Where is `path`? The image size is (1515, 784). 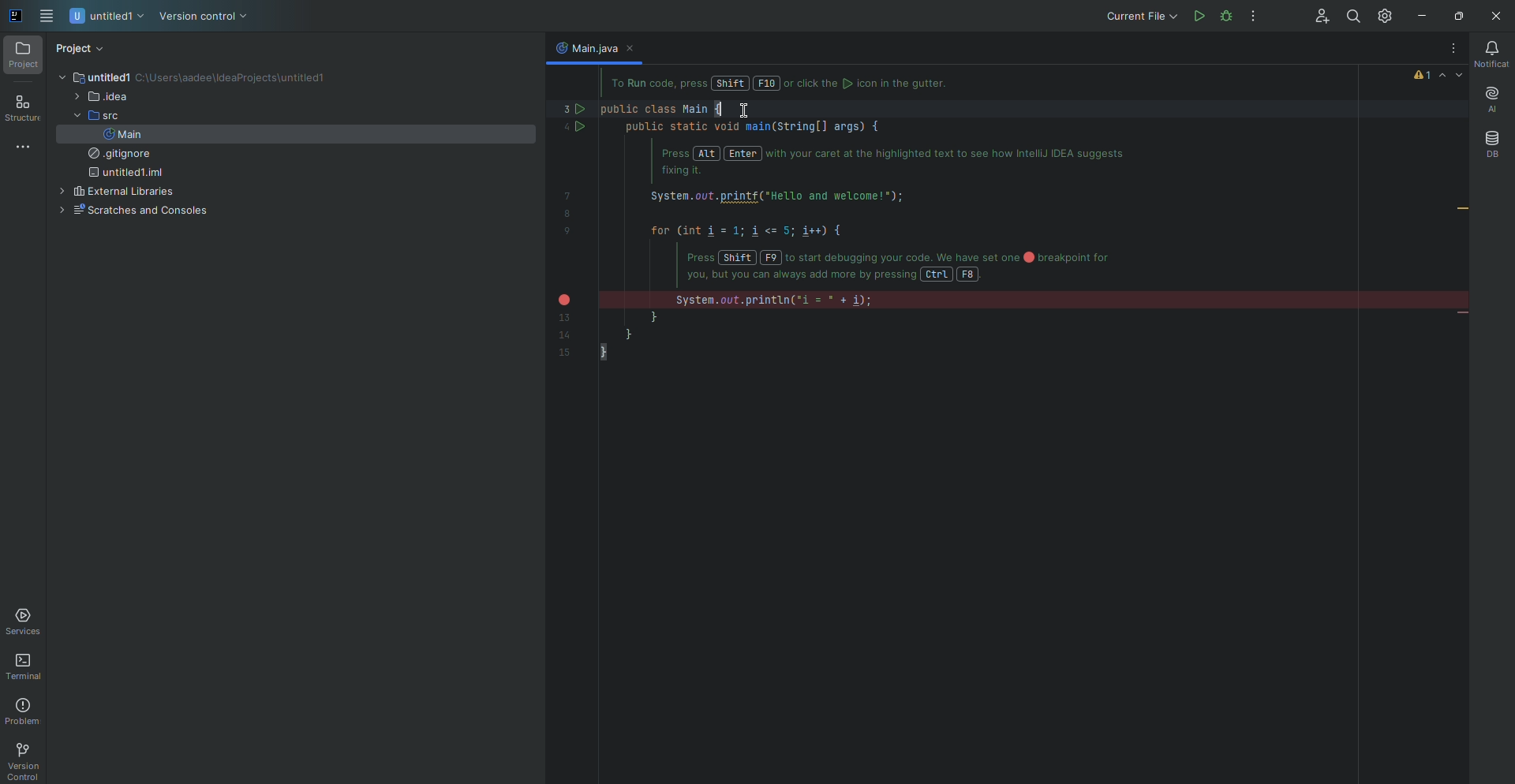
path is located at coordinates (235, 79).